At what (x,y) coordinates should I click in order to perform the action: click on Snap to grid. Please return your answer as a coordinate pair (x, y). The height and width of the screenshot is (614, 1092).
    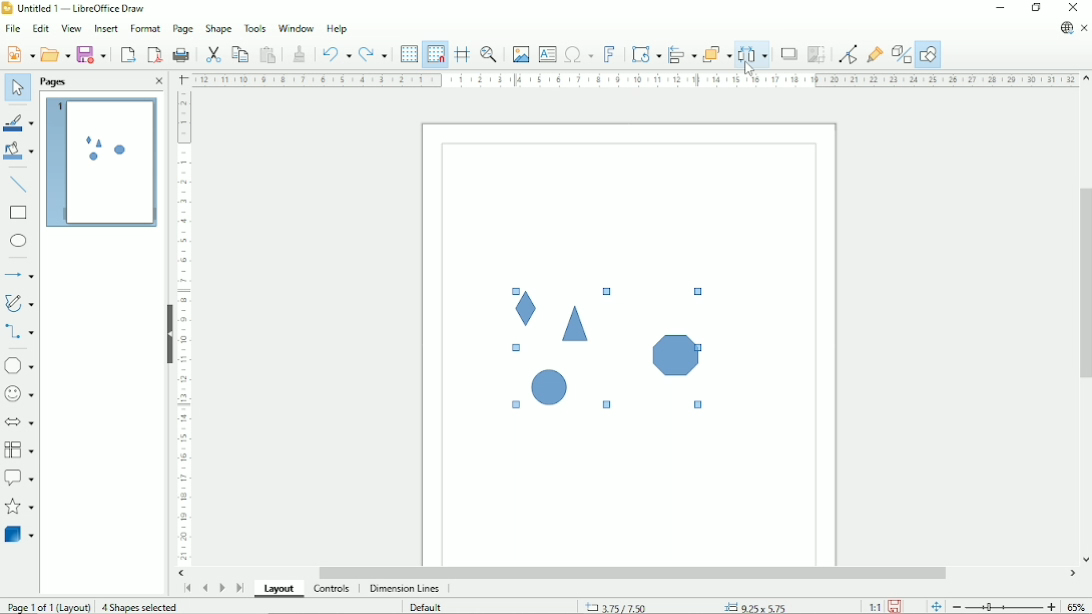
    Looking at the image, I should click on (435, 53).